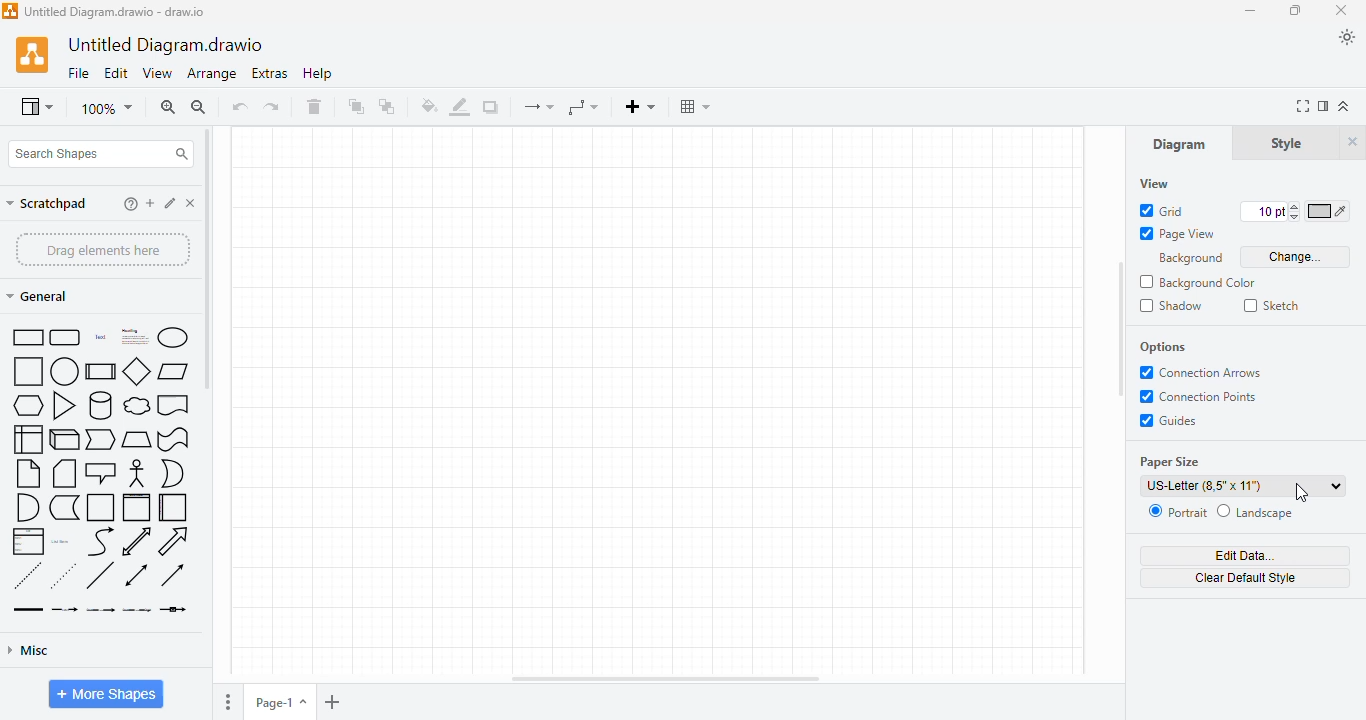 The height and width of the screenshot is (720, 1366). I want to click on general, so click(39, 296).